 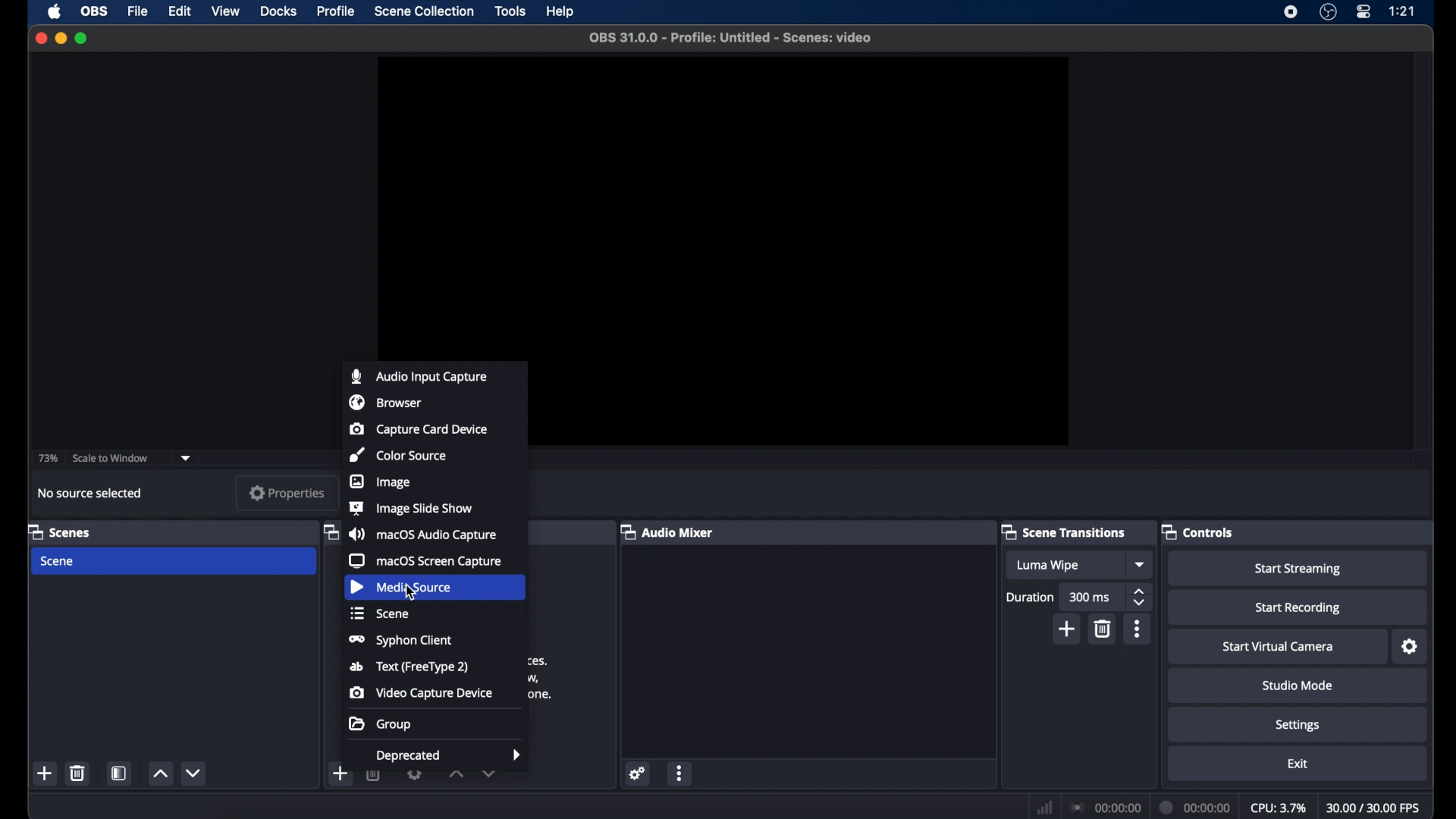 What do you see at coordinates (374, 776) in the screenshot?
I see `delete` at bounding box center [374, 776].